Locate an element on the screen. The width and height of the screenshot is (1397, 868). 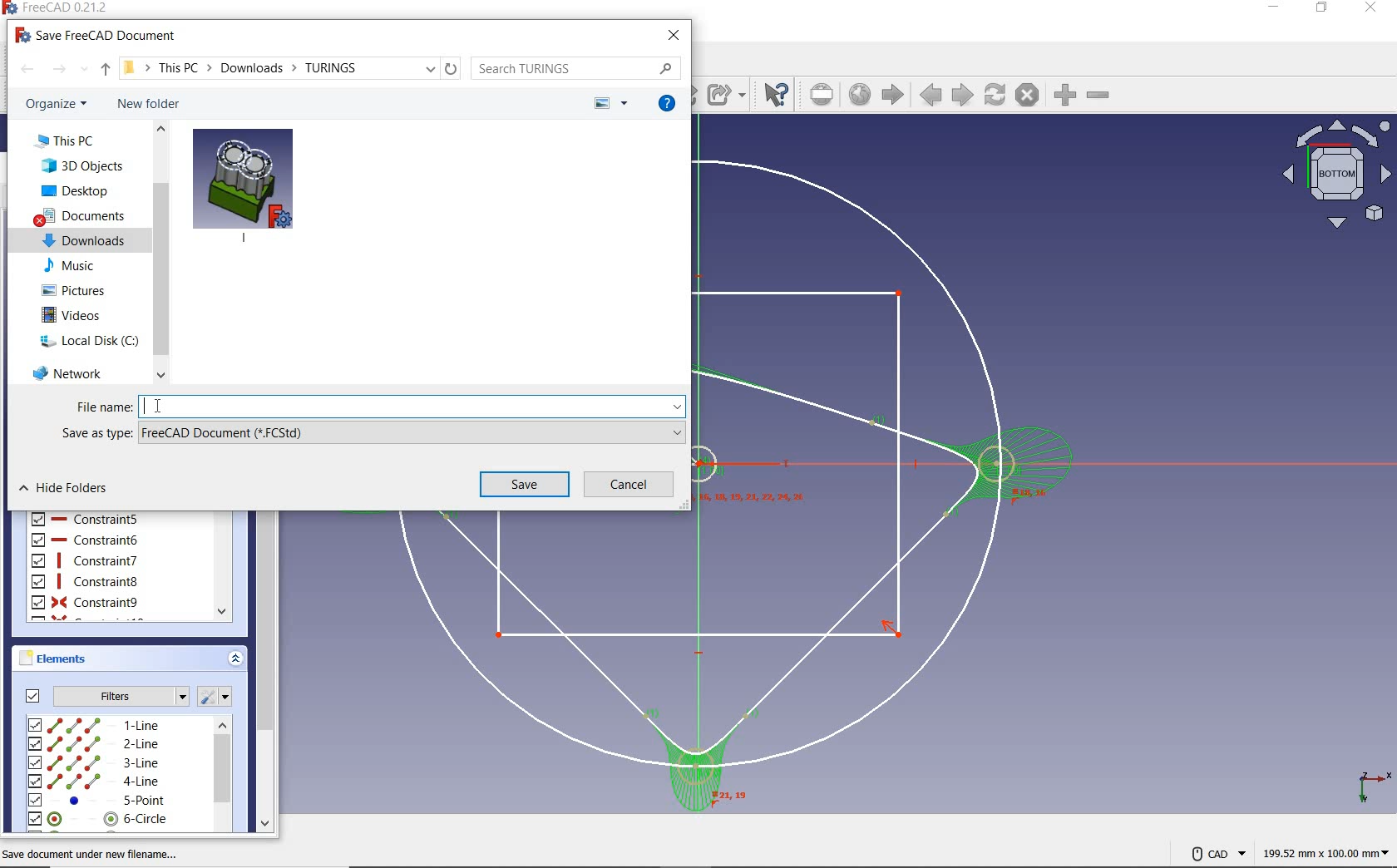
cursor is located at coordinates (159, 405).